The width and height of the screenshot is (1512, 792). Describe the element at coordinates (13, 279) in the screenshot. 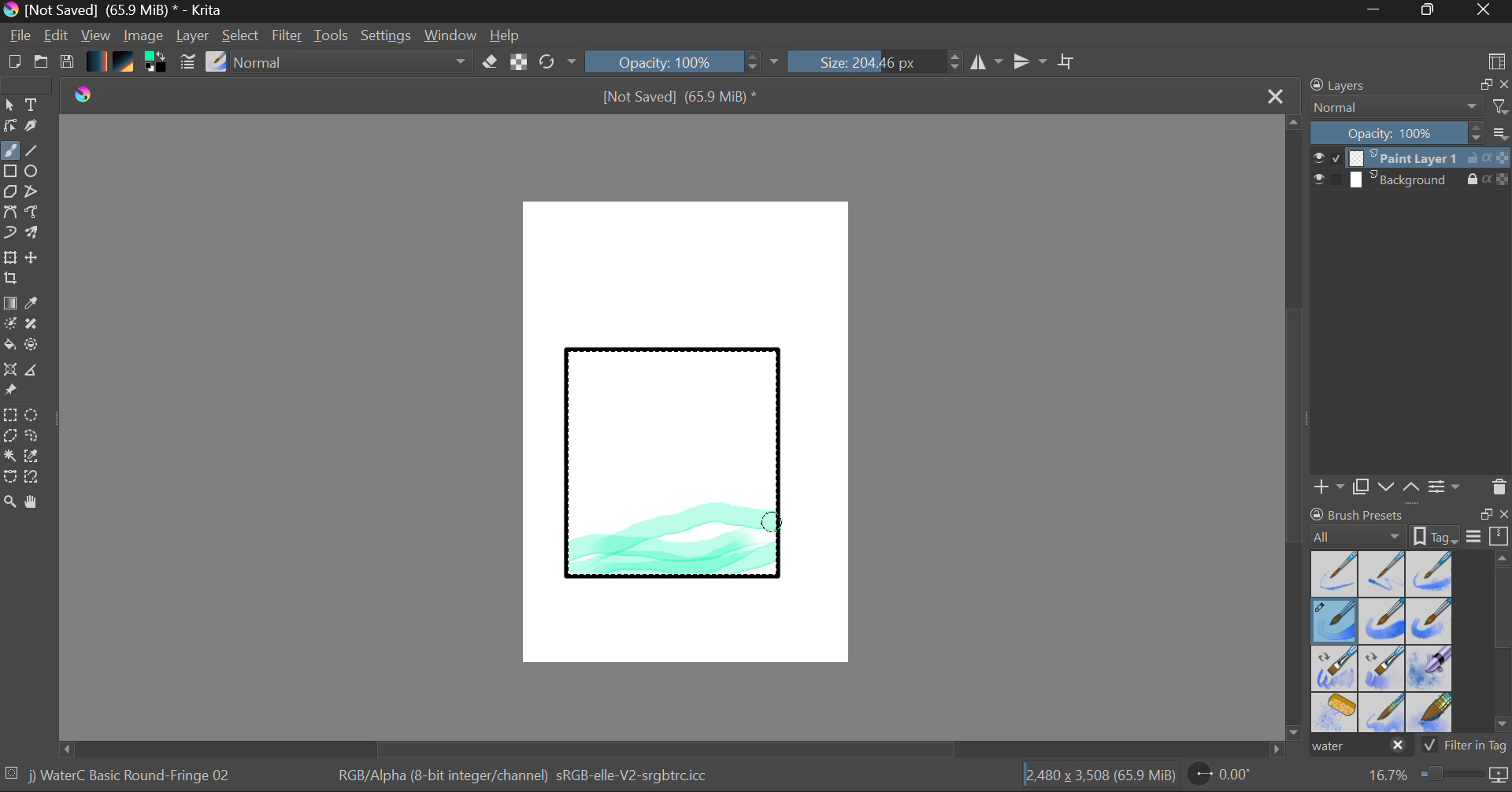

I see `Crop` at that location.